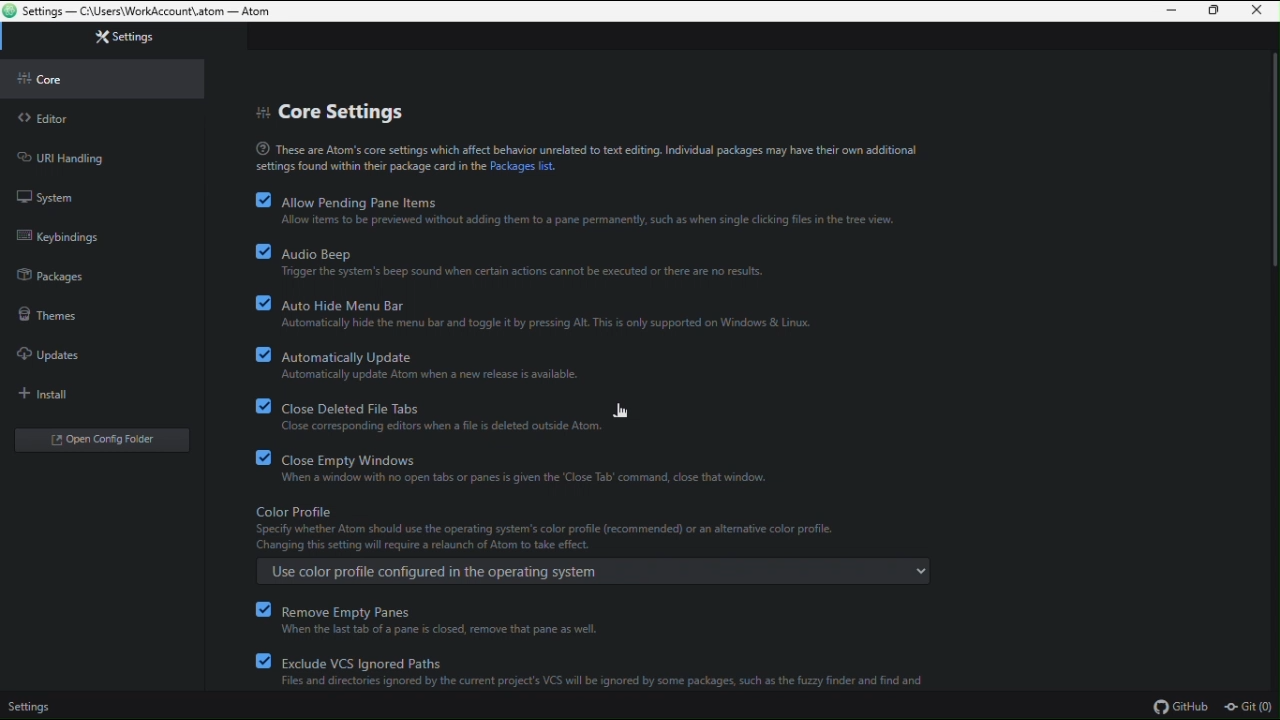  Describe the element at coordinates (596, 210) in the screenshot. I see `allow pending pane items` at that location.